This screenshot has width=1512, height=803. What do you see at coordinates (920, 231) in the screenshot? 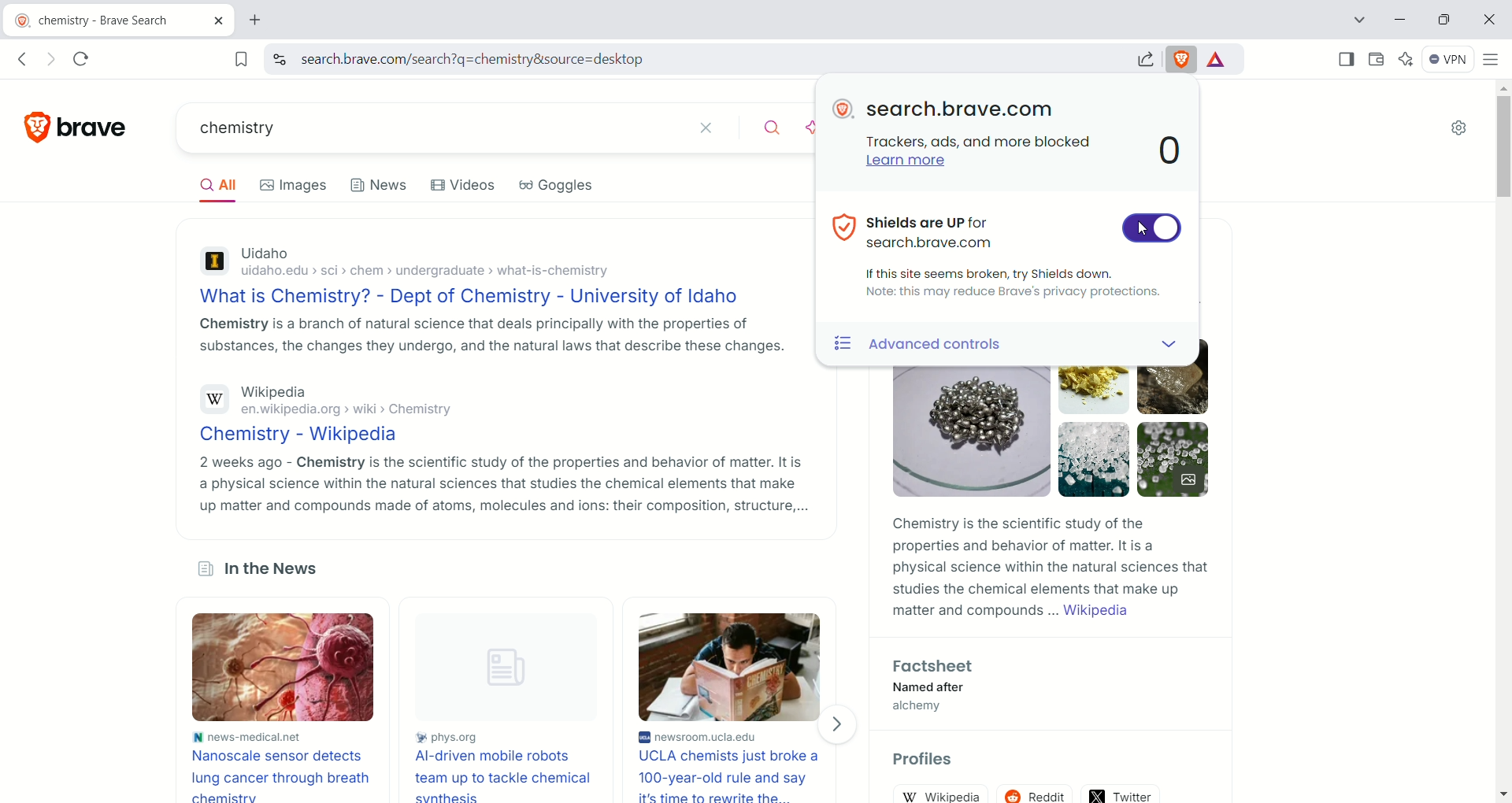
I see `shields are up for search.brave.com` at bounding box center [920, 231].